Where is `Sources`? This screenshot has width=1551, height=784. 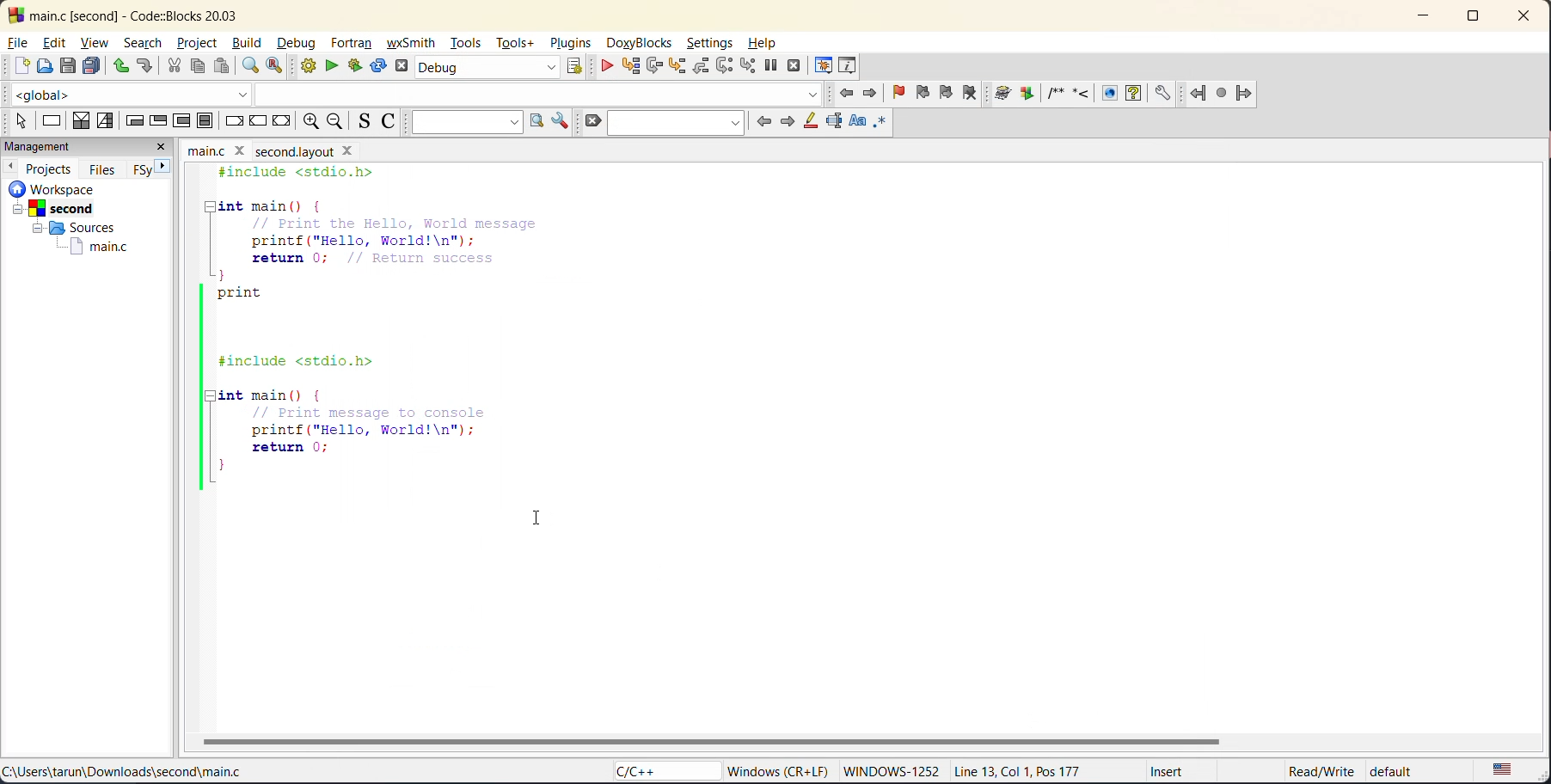
Sources is located at coordinates (70, 228).